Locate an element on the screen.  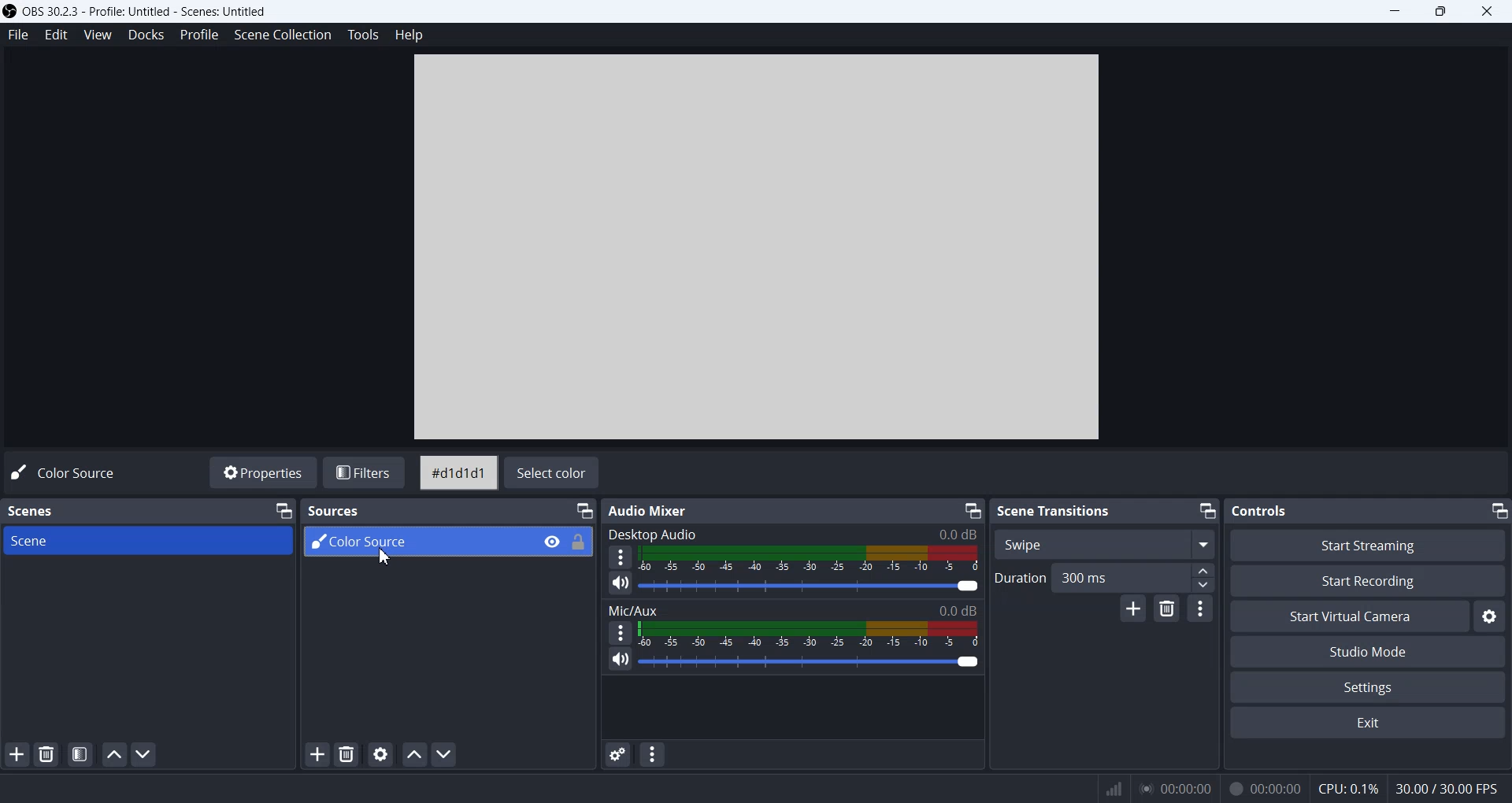
Duration is located at coordinates (1017, 578).